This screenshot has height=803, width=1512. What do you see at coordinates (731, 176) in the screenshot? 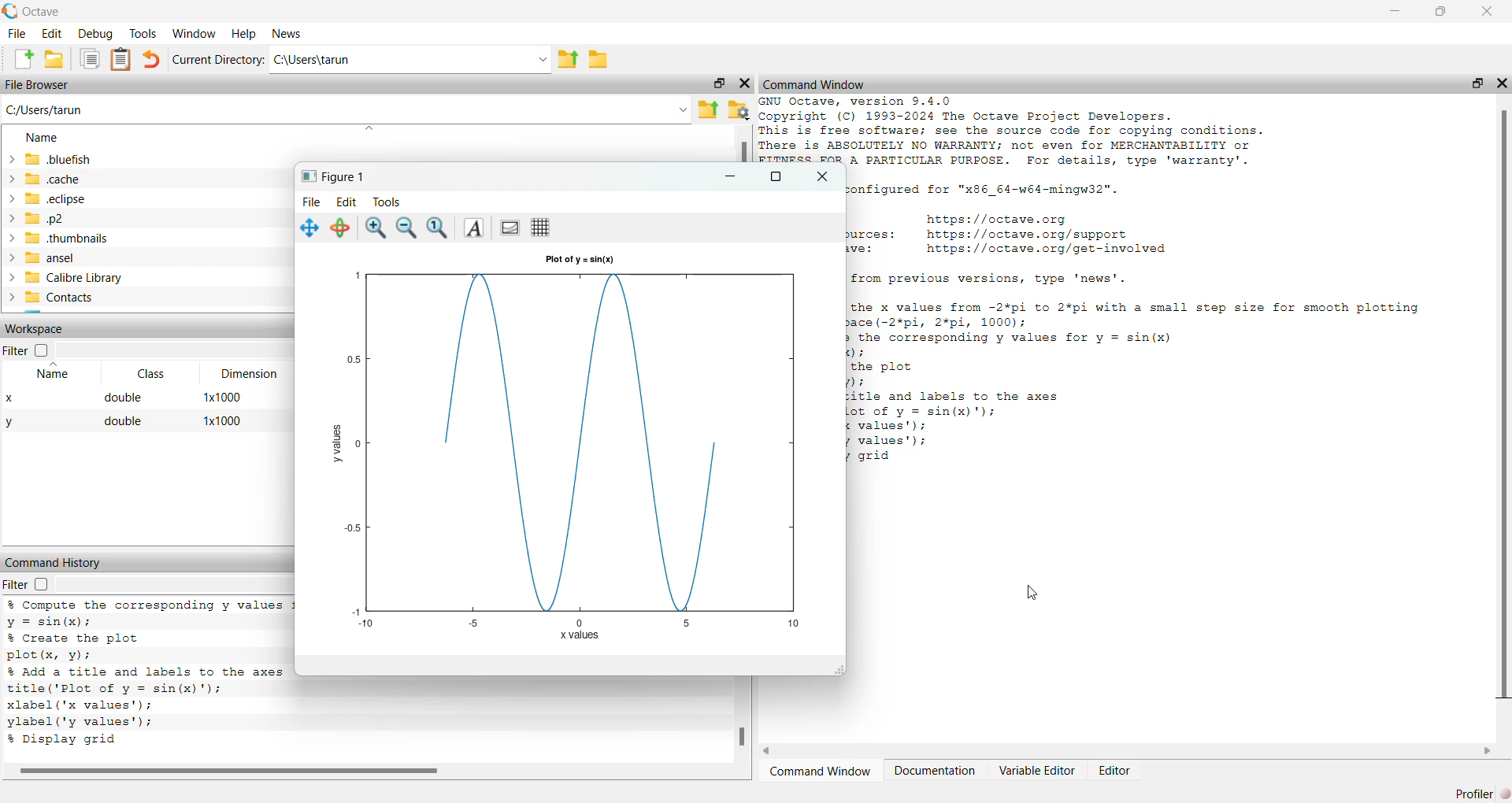
I see `minimize` at bounding box center [731, 176].